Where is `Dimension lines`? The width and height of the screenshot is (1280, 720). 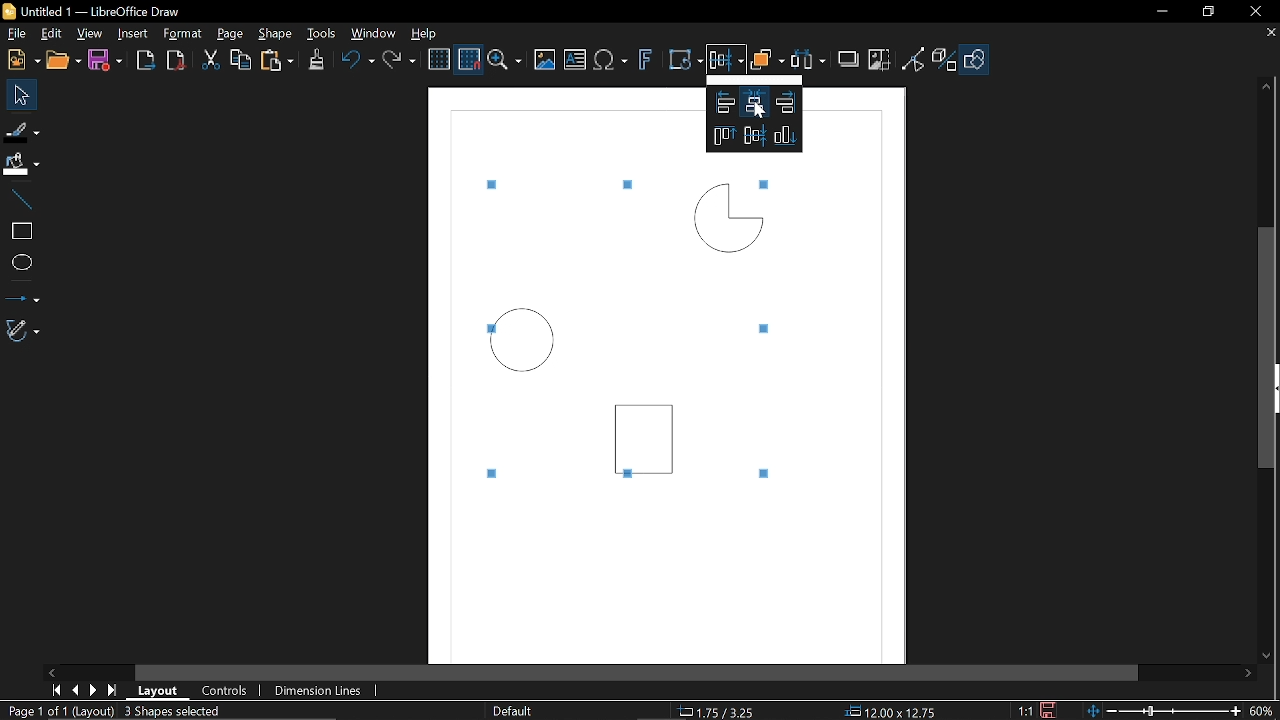 Dimension lines is located at coordinates (314, 691).